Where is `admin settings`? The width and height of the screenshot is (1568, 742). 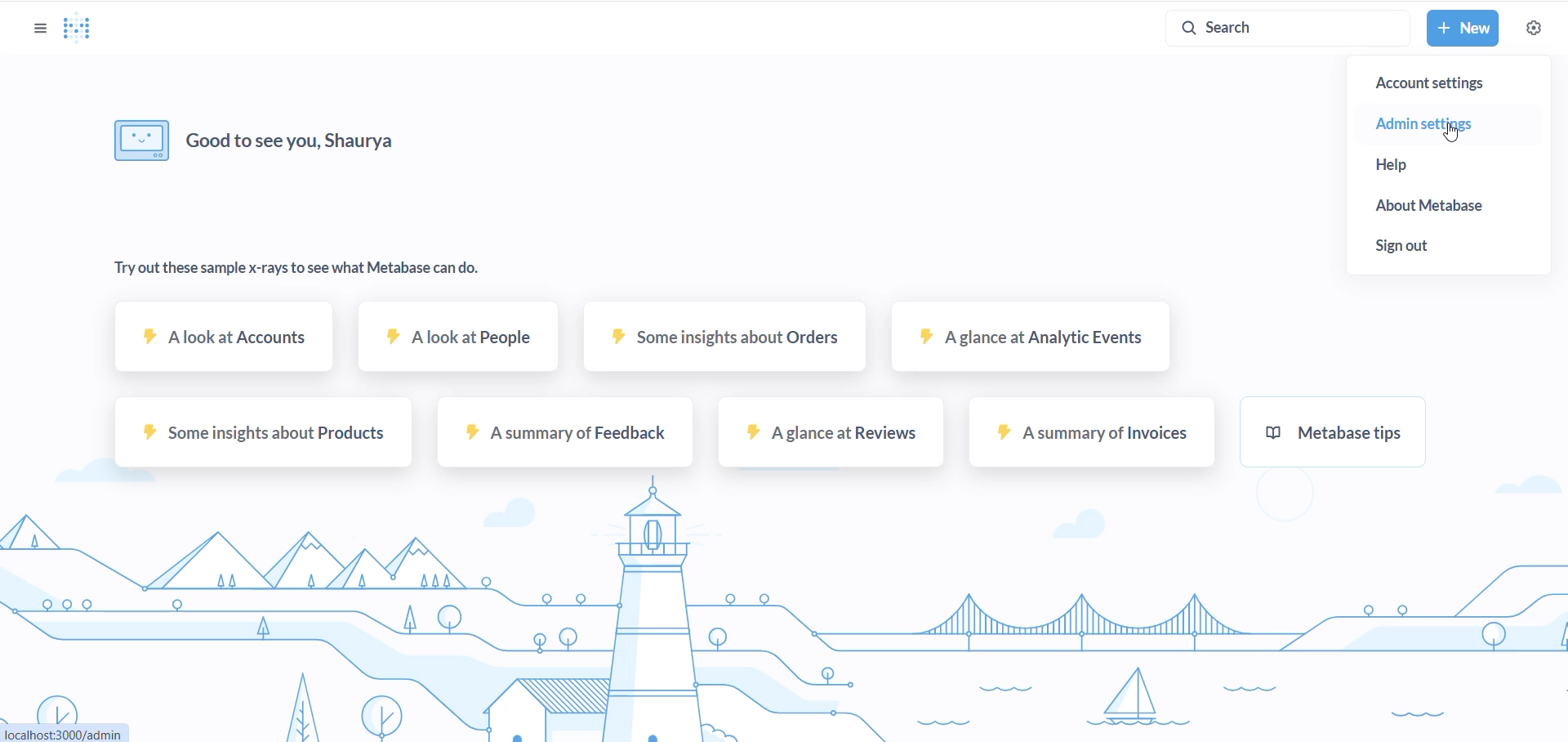
admin settings is located at coordinates (1443, 123).